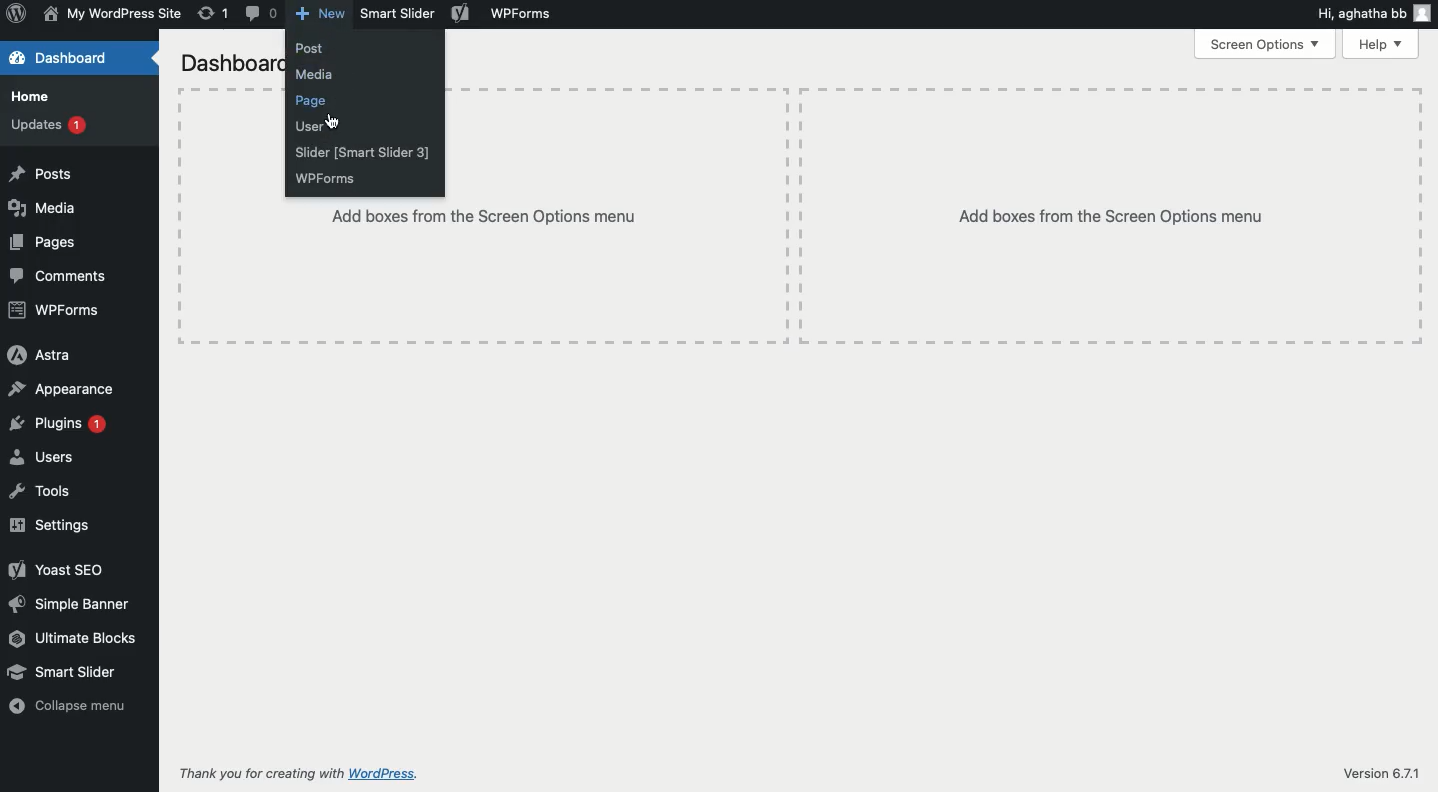  I want to click on WPForms, so click(323, 179).